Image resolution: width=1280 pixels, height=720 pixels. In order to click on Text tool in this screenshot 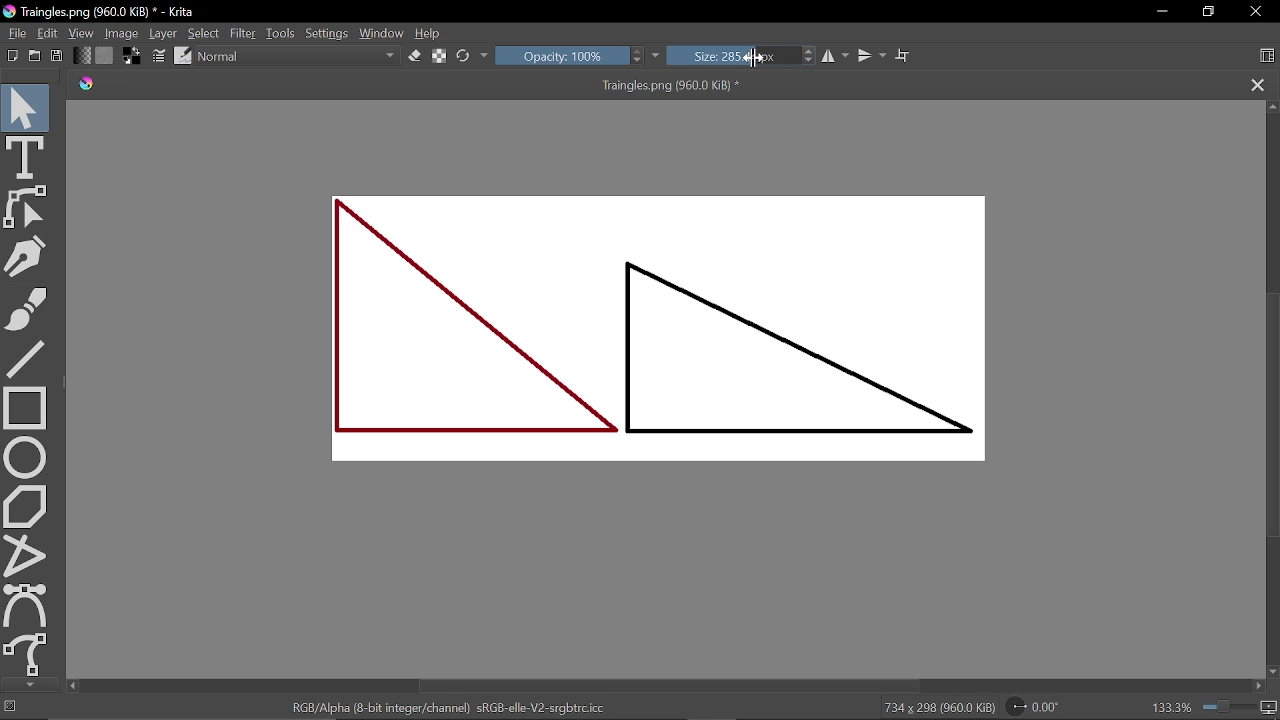, I will do `click(25, 157)`.